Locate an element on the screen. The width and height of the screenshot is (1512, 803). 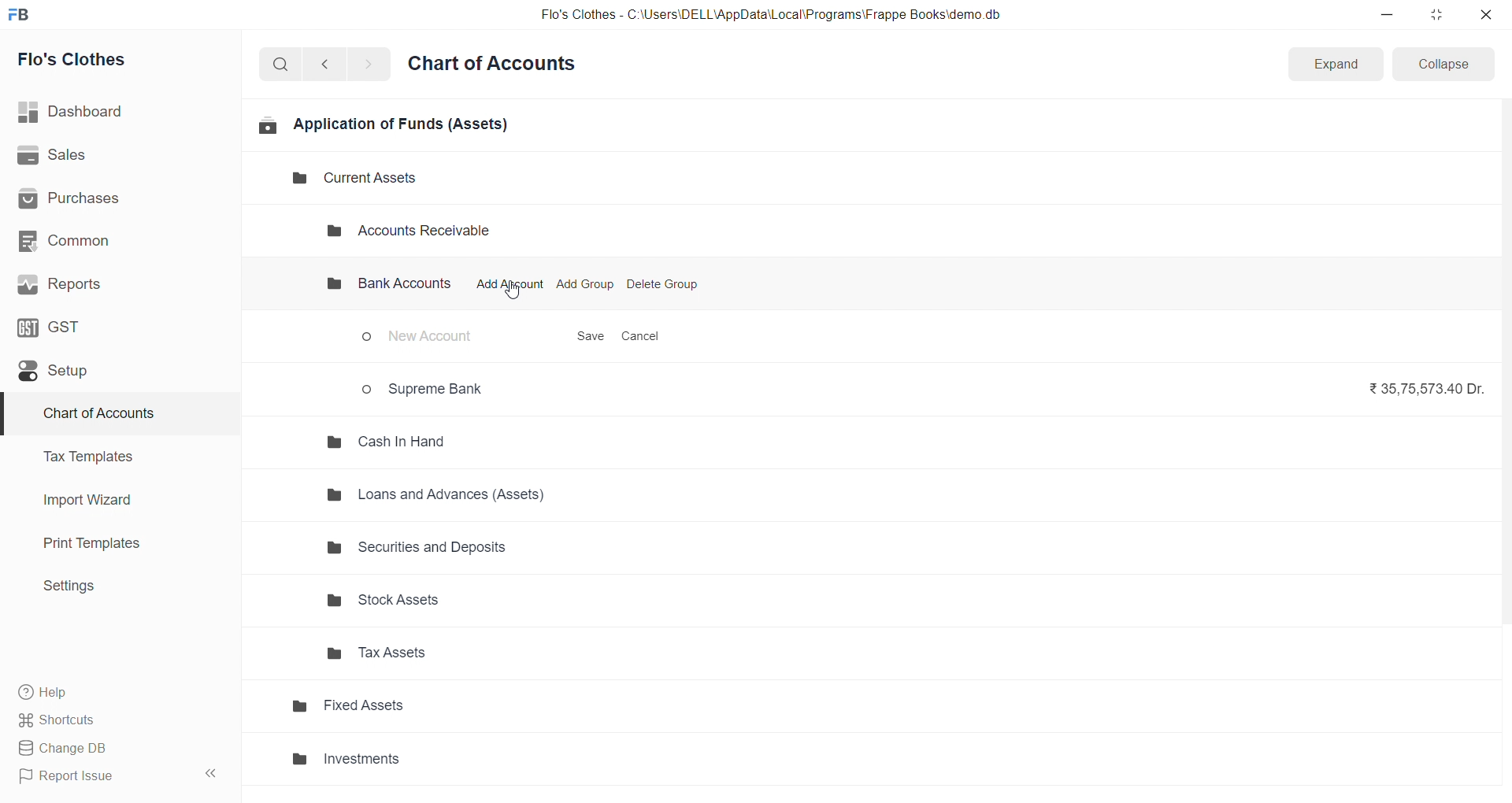
Import Wizard is located at coordinates (112, 500).